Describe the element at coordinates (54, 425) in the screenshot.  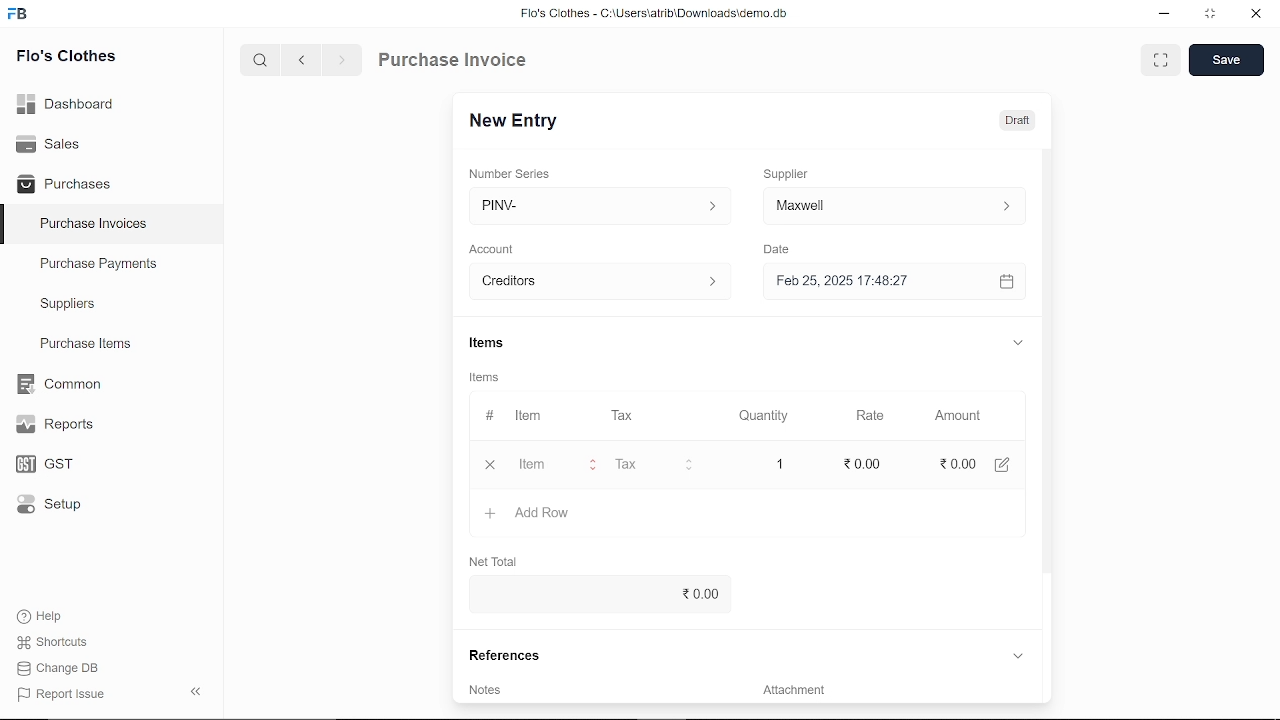
I see `Reports` at that location.